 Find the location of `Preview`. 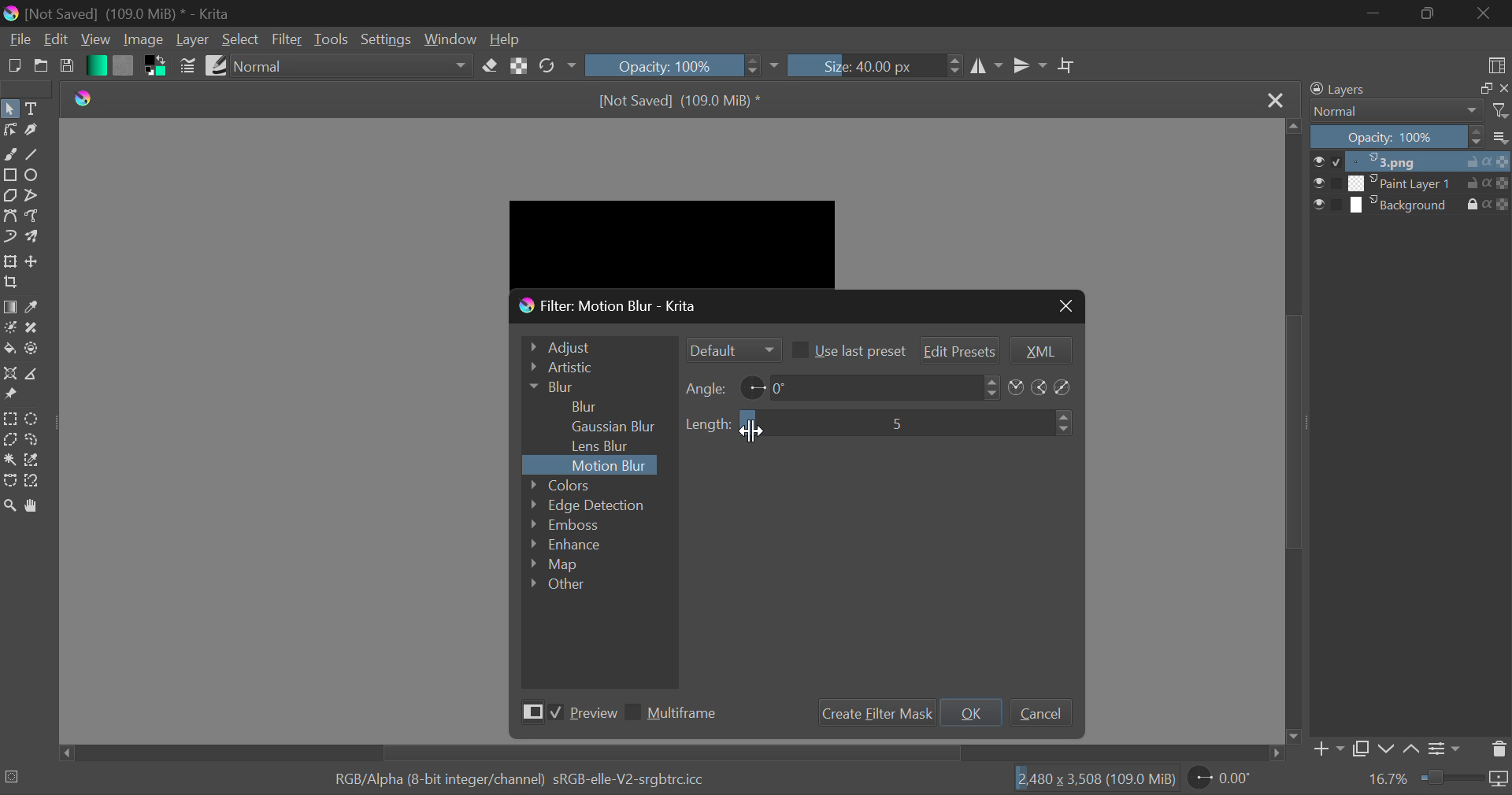

Preview is located at coordinates (565, 715).